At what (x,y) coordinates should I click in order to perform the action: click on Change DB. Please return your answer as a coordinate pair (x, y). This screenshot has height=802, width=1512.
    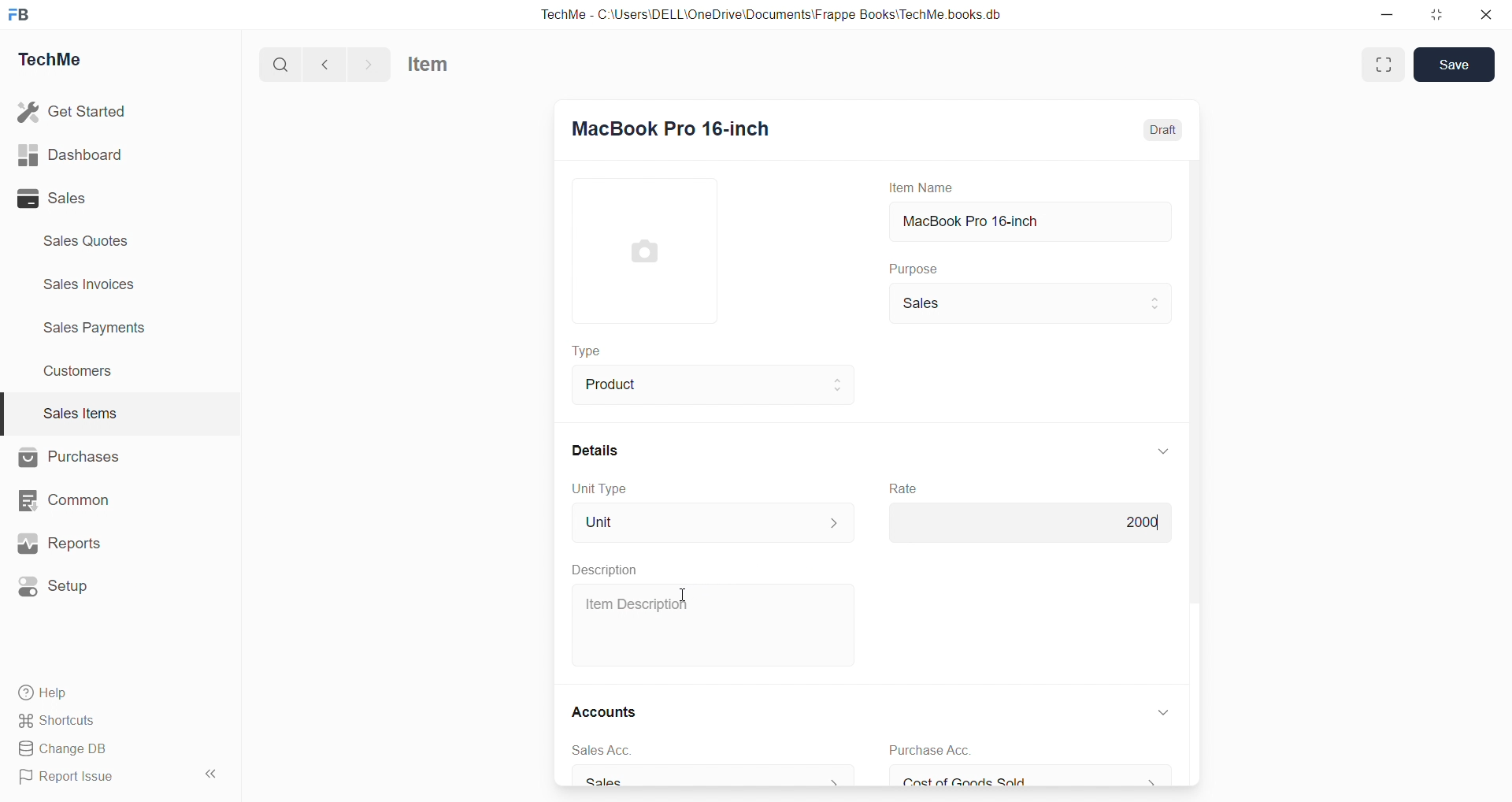
    Looking at the image, I should click on (64, 748).